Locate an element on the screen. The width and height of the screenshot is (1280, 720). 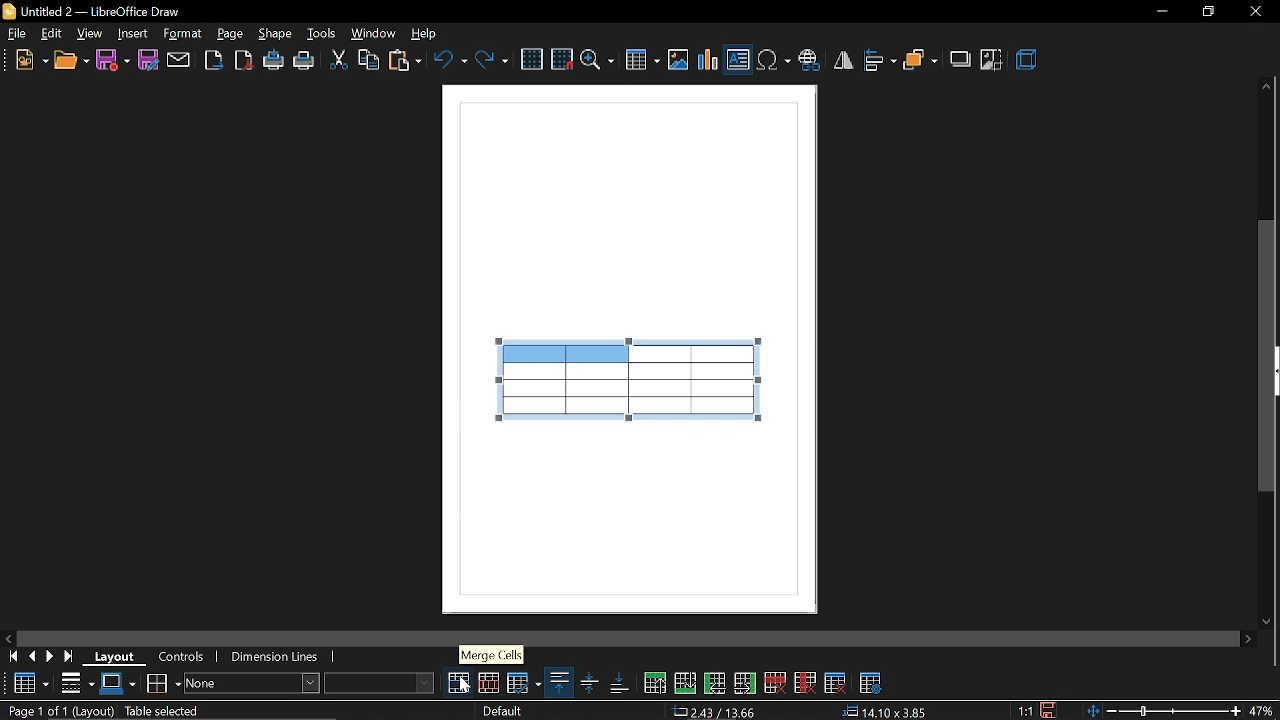
insert text is located at coordinates (739, 58).